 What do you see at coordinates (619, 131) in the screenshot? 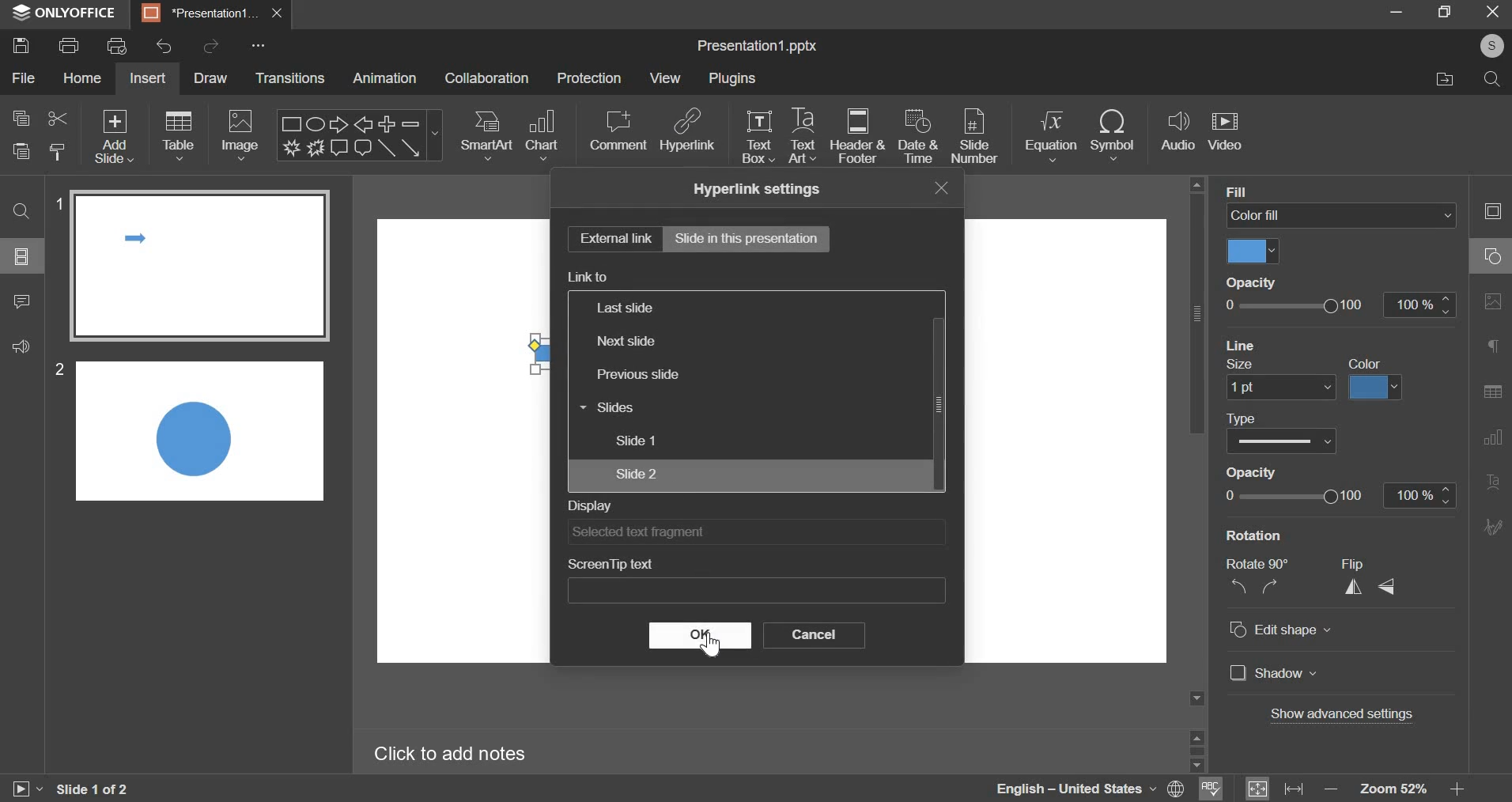
I see `comment` at bounding box center [619, 131].